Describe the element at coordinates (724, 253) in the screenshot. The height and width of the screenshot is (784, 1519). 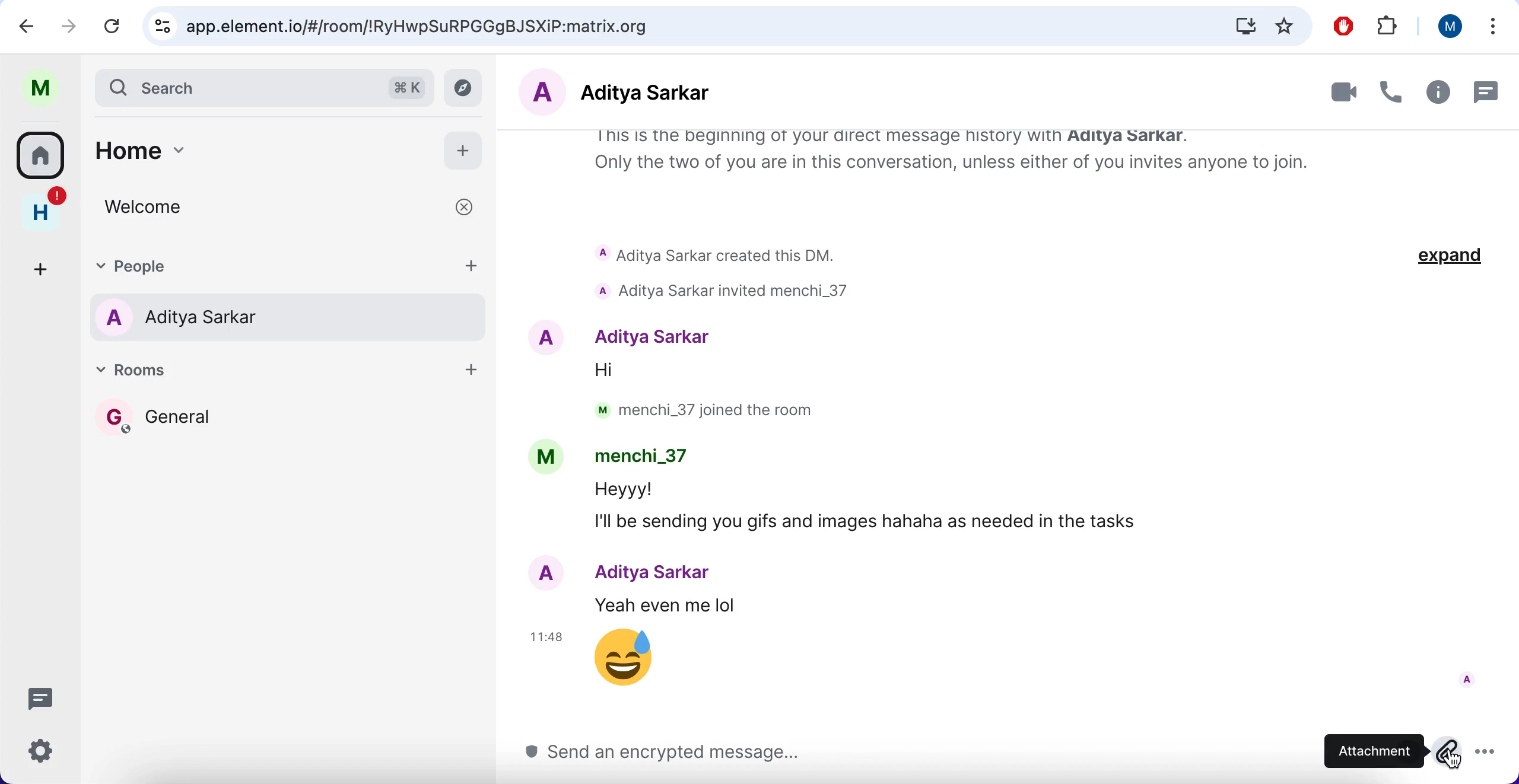
I see `Aditya Sarkar created this DM.` at that location.